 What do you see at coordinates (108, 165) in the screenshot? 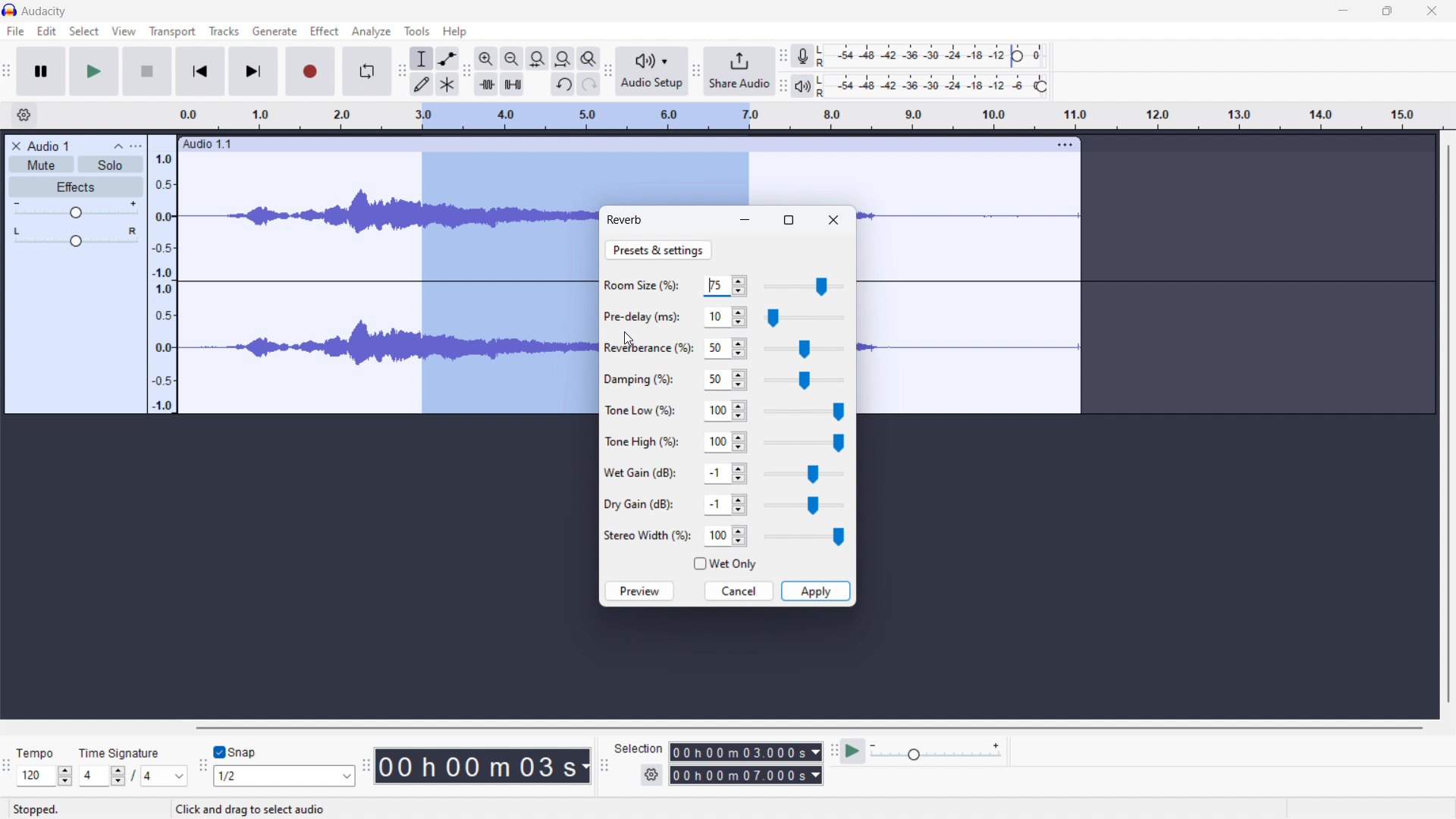
I see `solo` at bounding box center [108, 165].